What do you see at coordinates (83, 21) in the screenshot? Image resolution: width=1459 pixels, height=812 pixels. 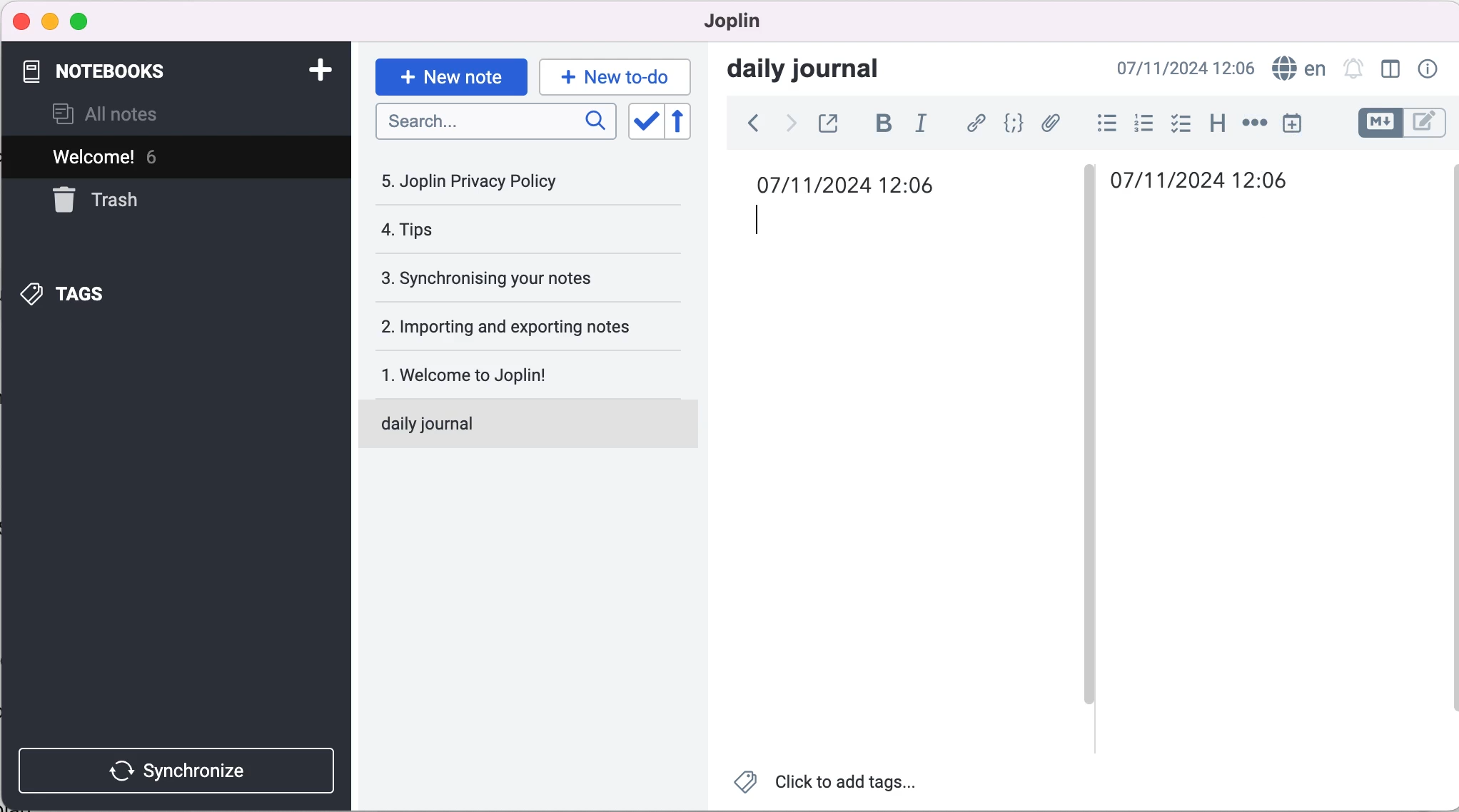 I see `maximize` at bounding box center [83, 21].